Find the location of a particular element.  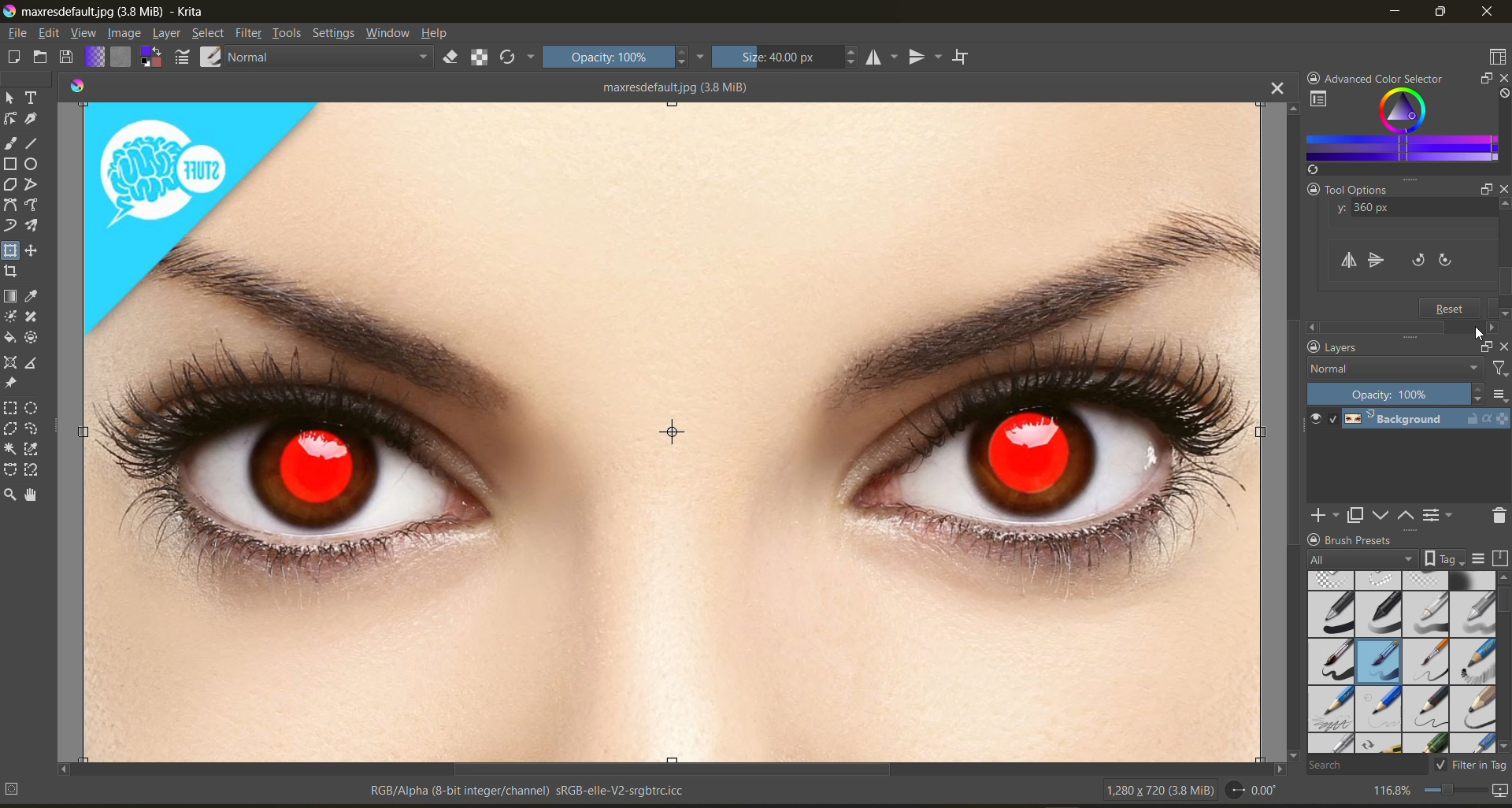

wrap around mode is located at coordinates (966, 57).